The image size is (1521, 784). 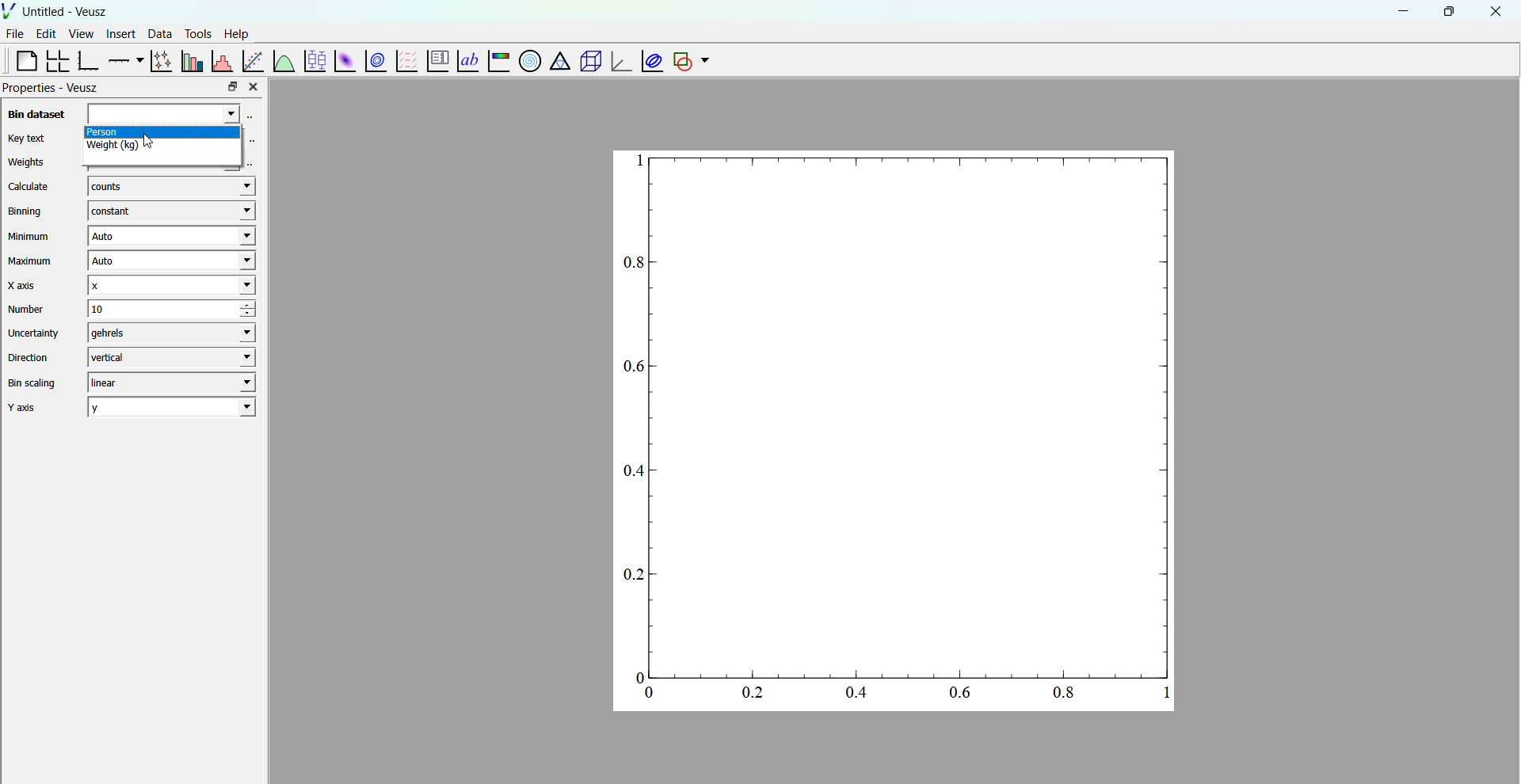 I want to click on plot bar chats, so click(x=190, y=61).